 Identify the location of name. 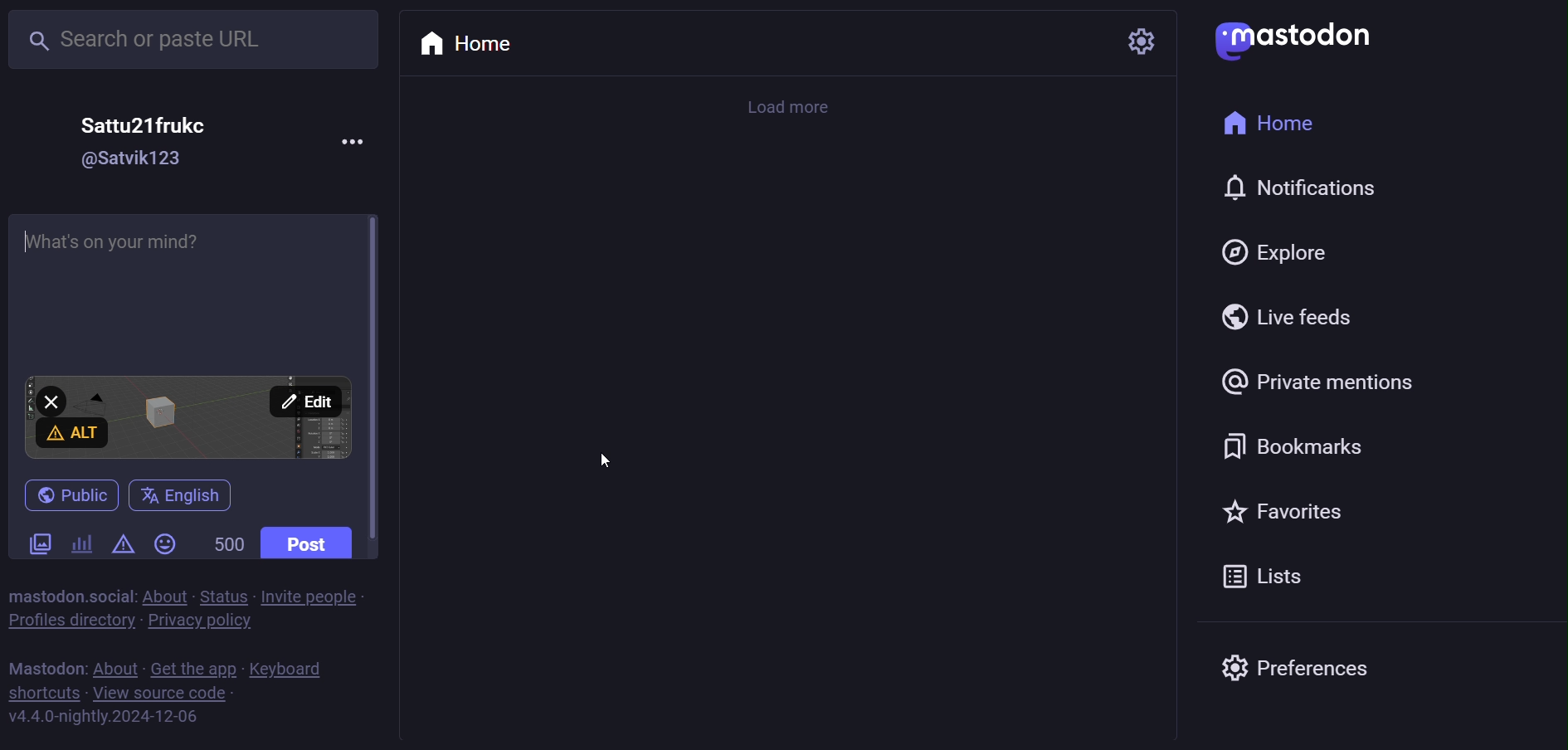
(144, 124).